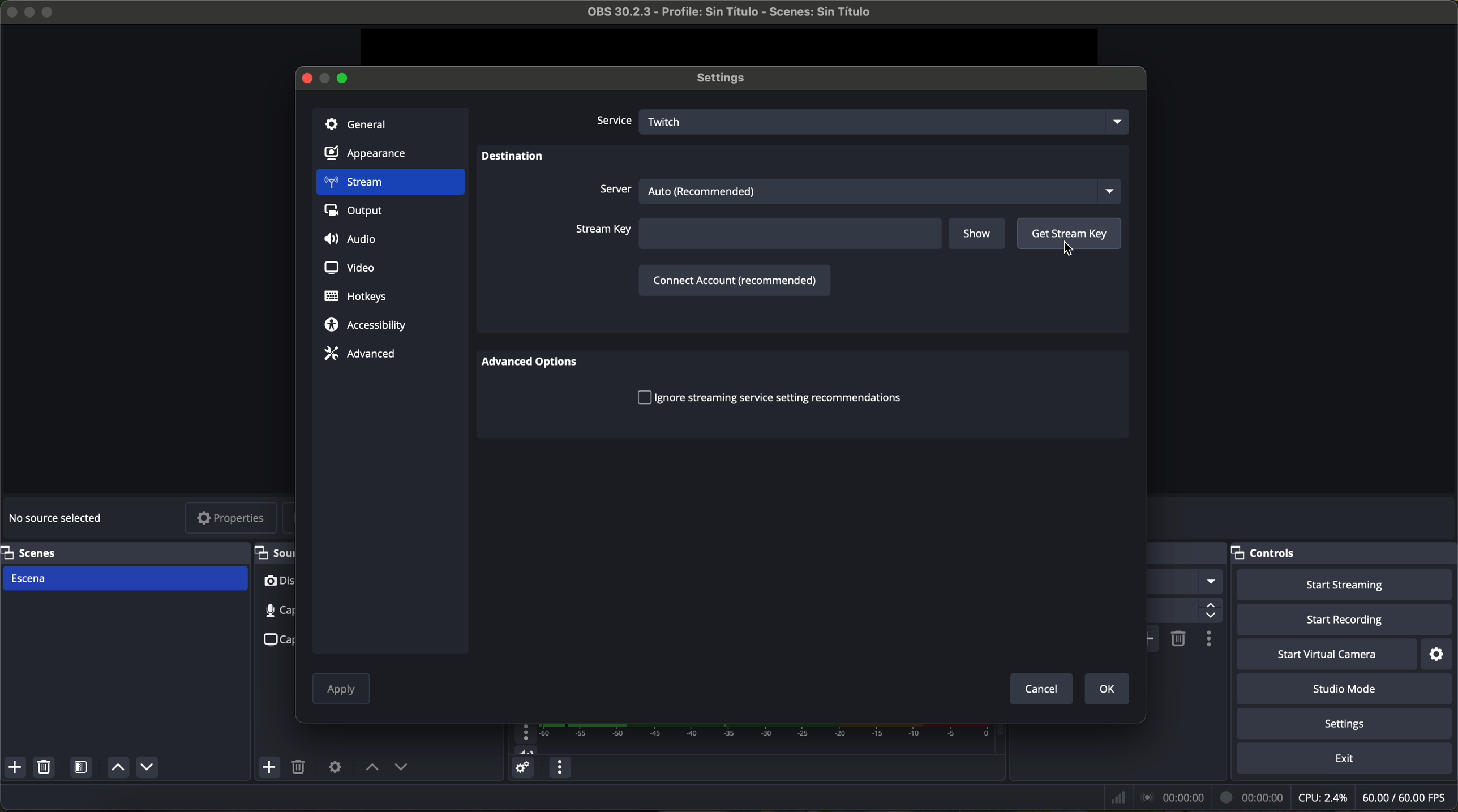 This screenshot has width=1458, height=812. Describe the element at coordinates (15, 769) in the screenshot. I see `add scene` at that location.